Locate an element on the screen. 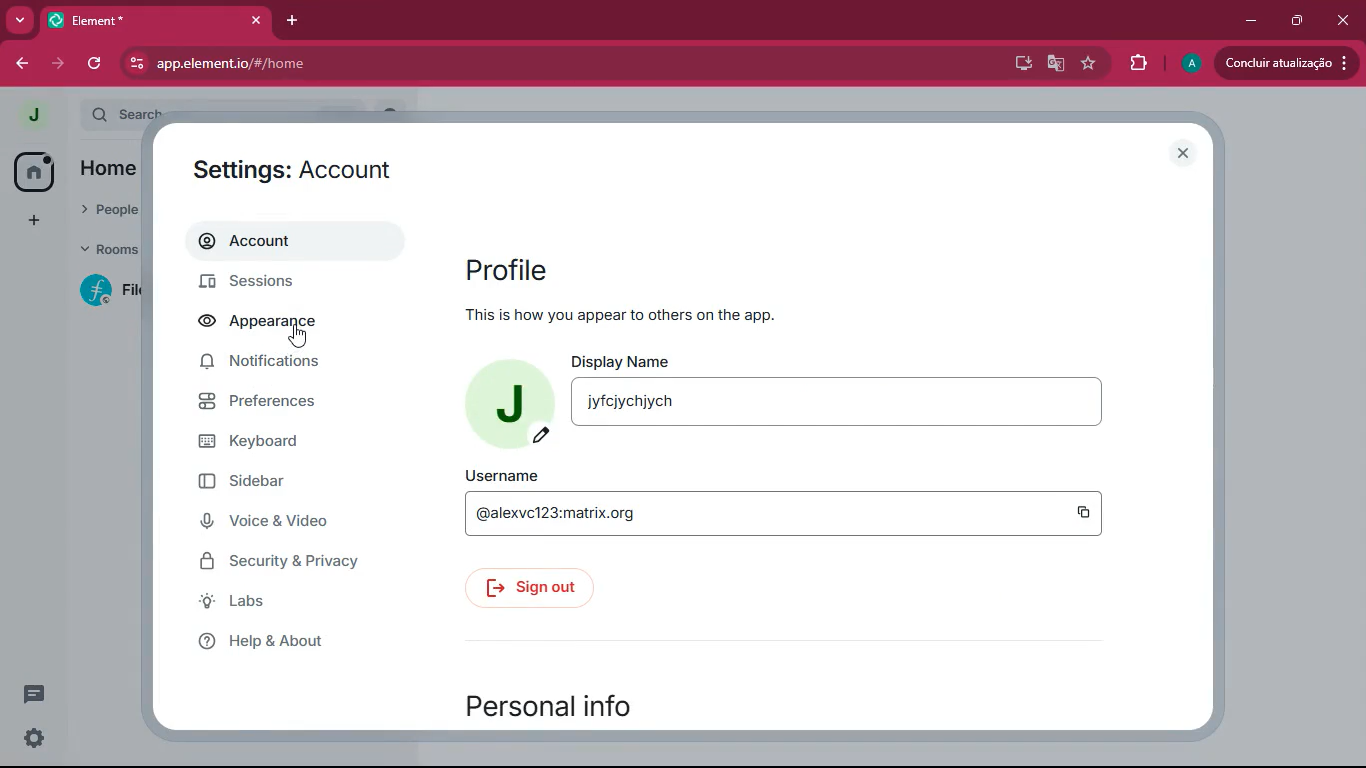  Voice & Video is located at coordinates (276, 518).